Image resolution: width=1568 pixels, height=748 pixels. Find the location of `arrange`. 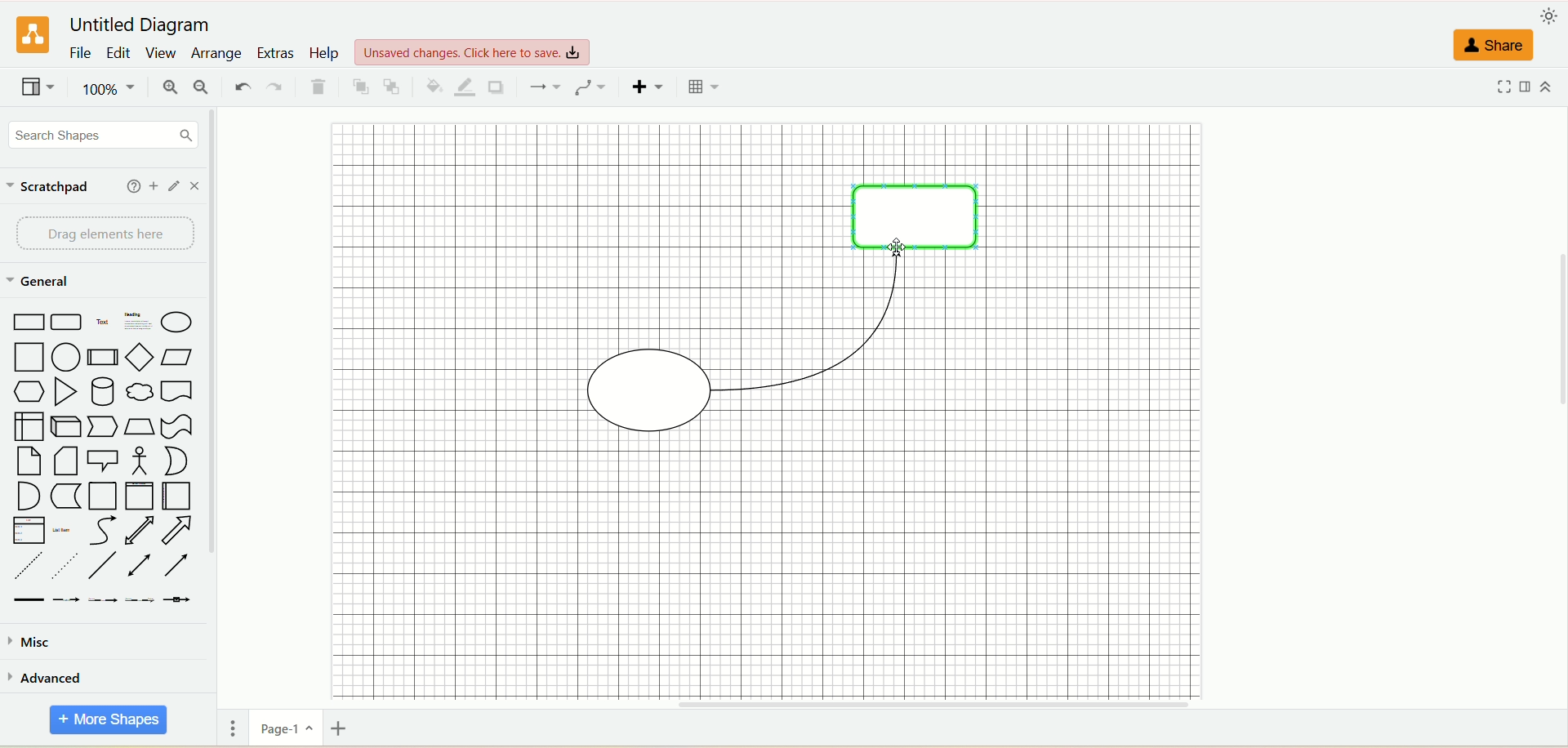

arrange is located at coordinates (219, 52).